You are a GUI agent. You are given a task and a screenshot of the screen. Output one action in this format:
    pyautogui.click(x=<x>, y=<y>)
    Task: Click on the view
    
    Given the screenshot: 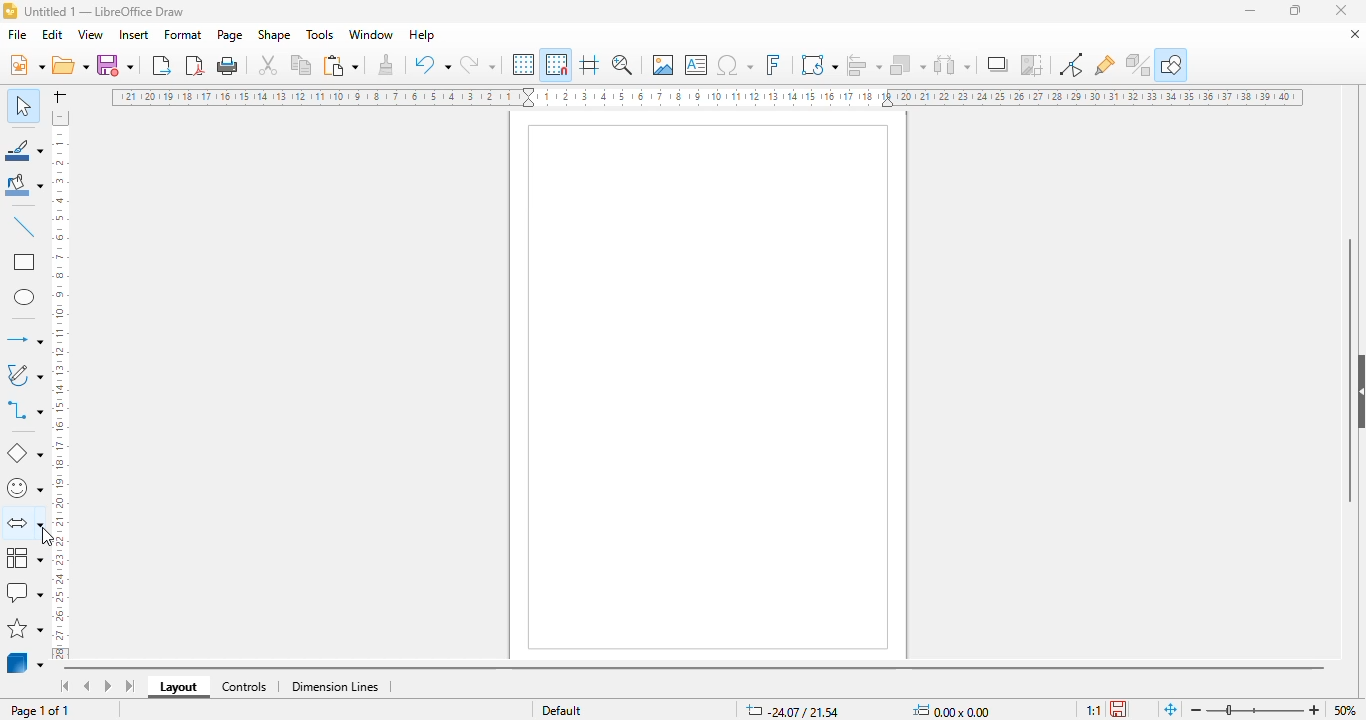 What is the action you would take?
    pyautogui.click(x=90, y=35)
    